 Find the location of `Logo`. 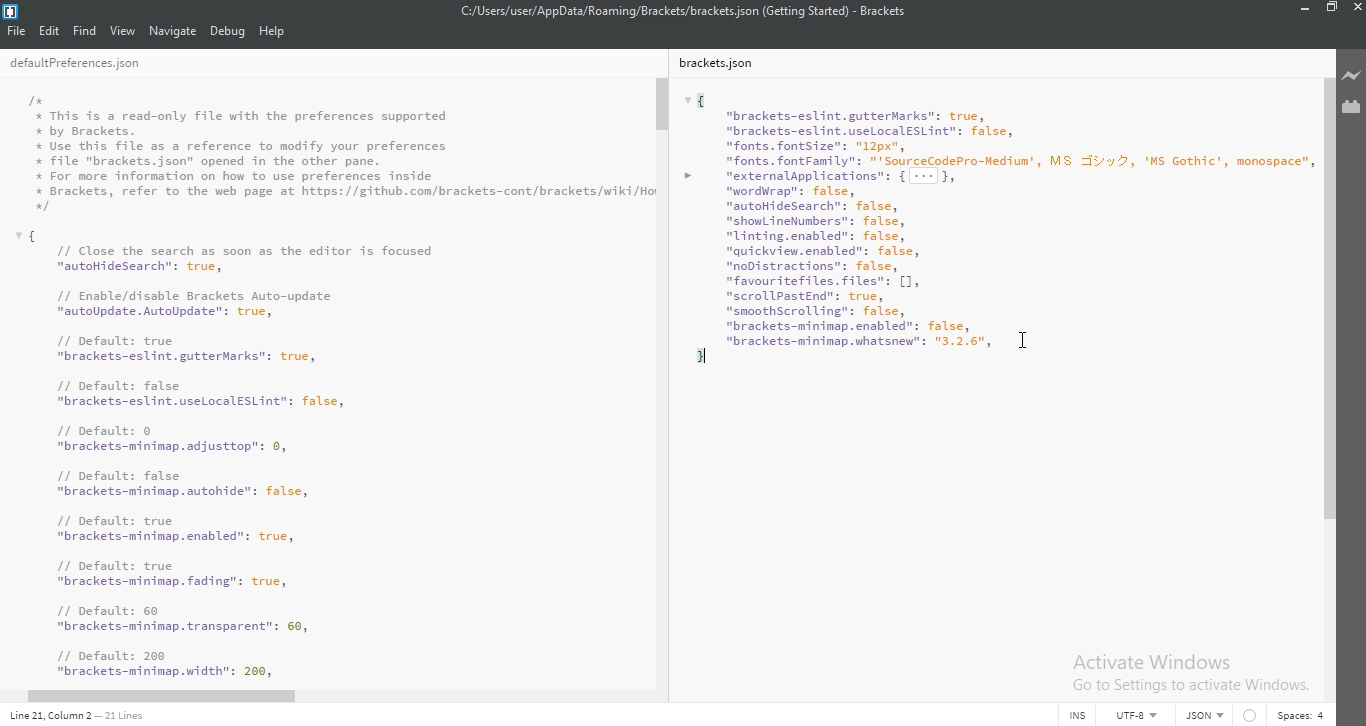

Logo is located at coordinates (13, 10).